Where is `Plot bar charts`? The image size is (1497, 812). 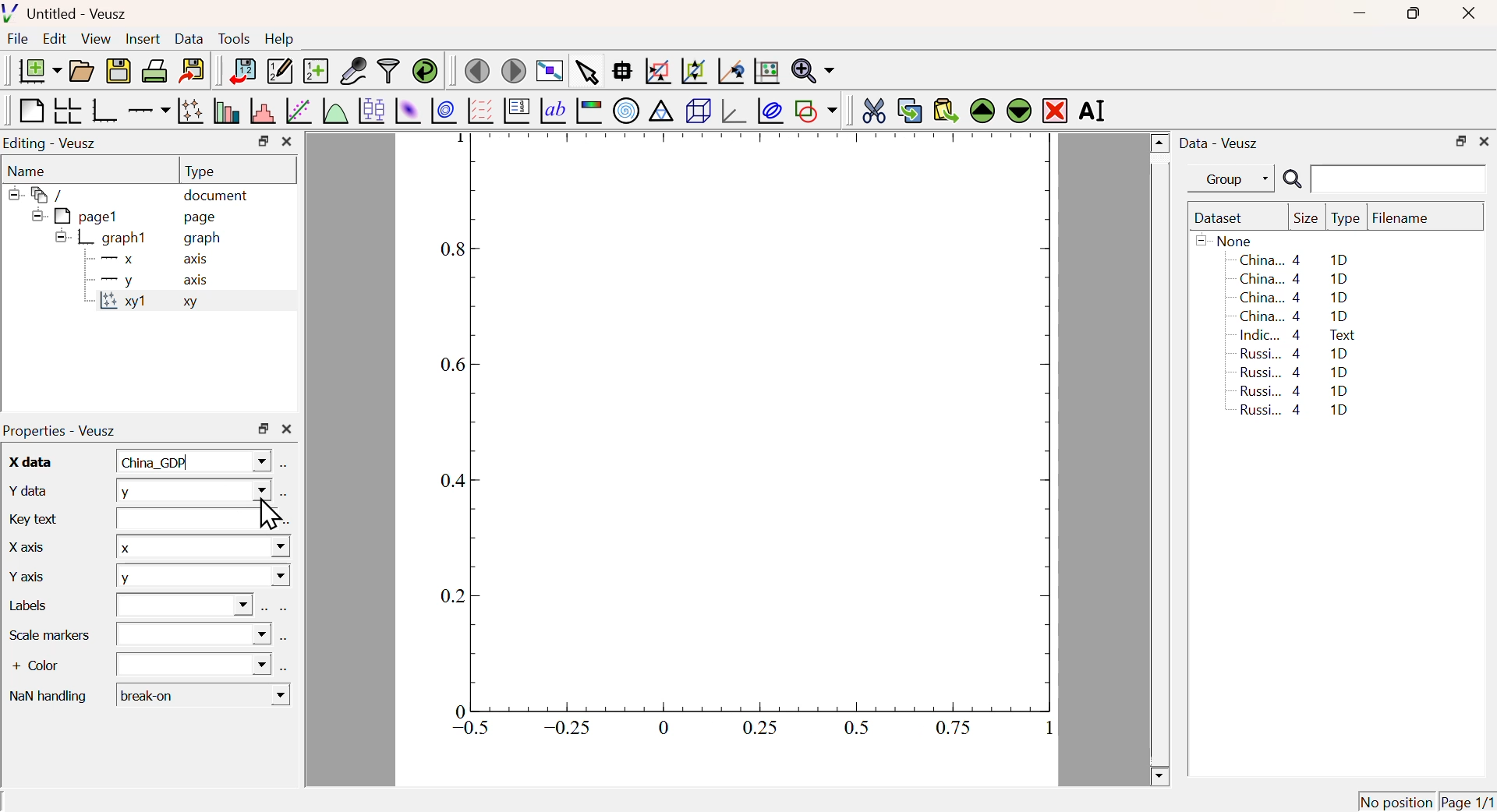 Plot bar charts is located at coordinates (226, 111).